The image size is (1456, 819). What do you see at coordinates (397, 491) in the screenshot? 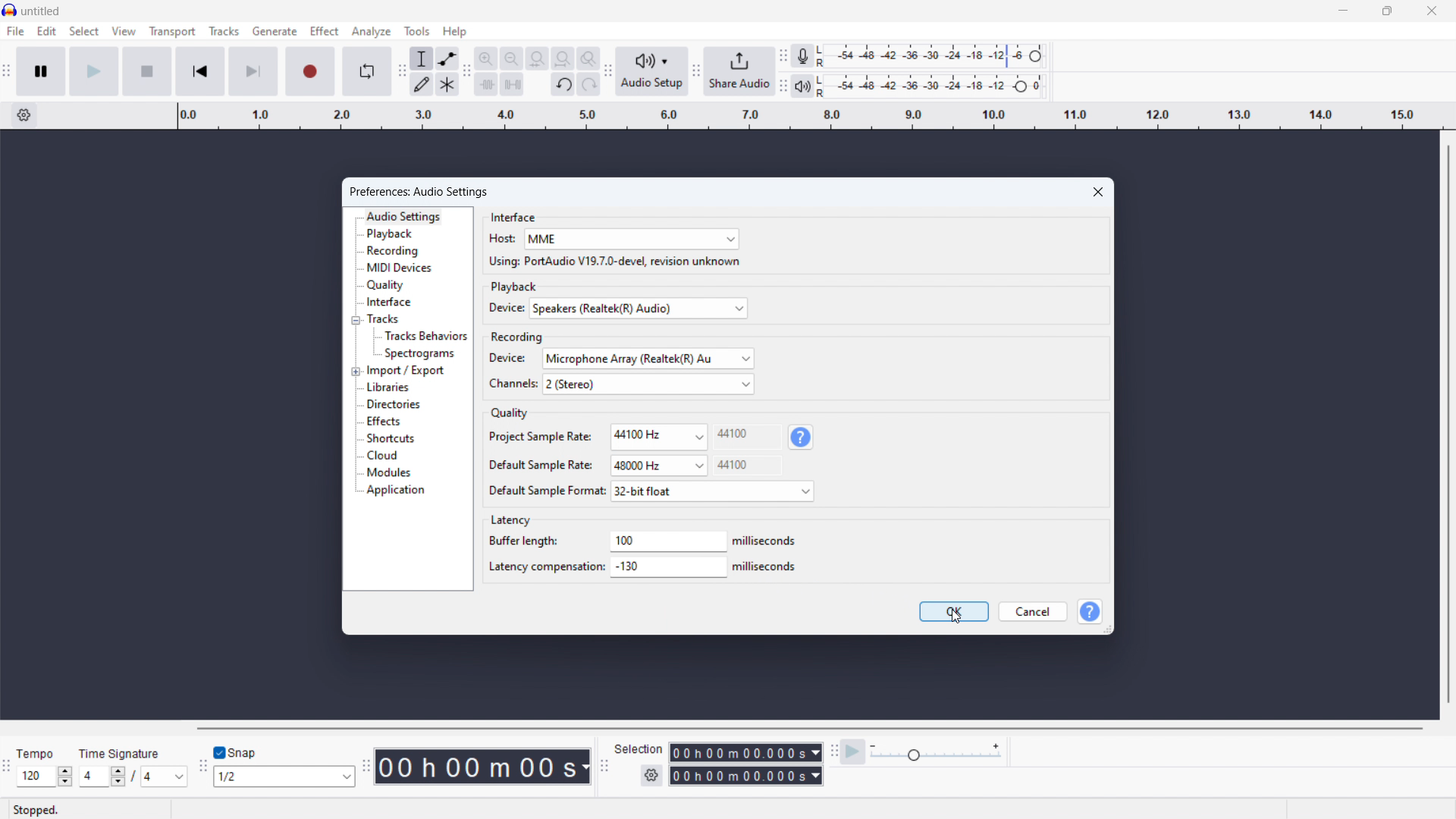
I see `application` at bounding box center [397, 491].